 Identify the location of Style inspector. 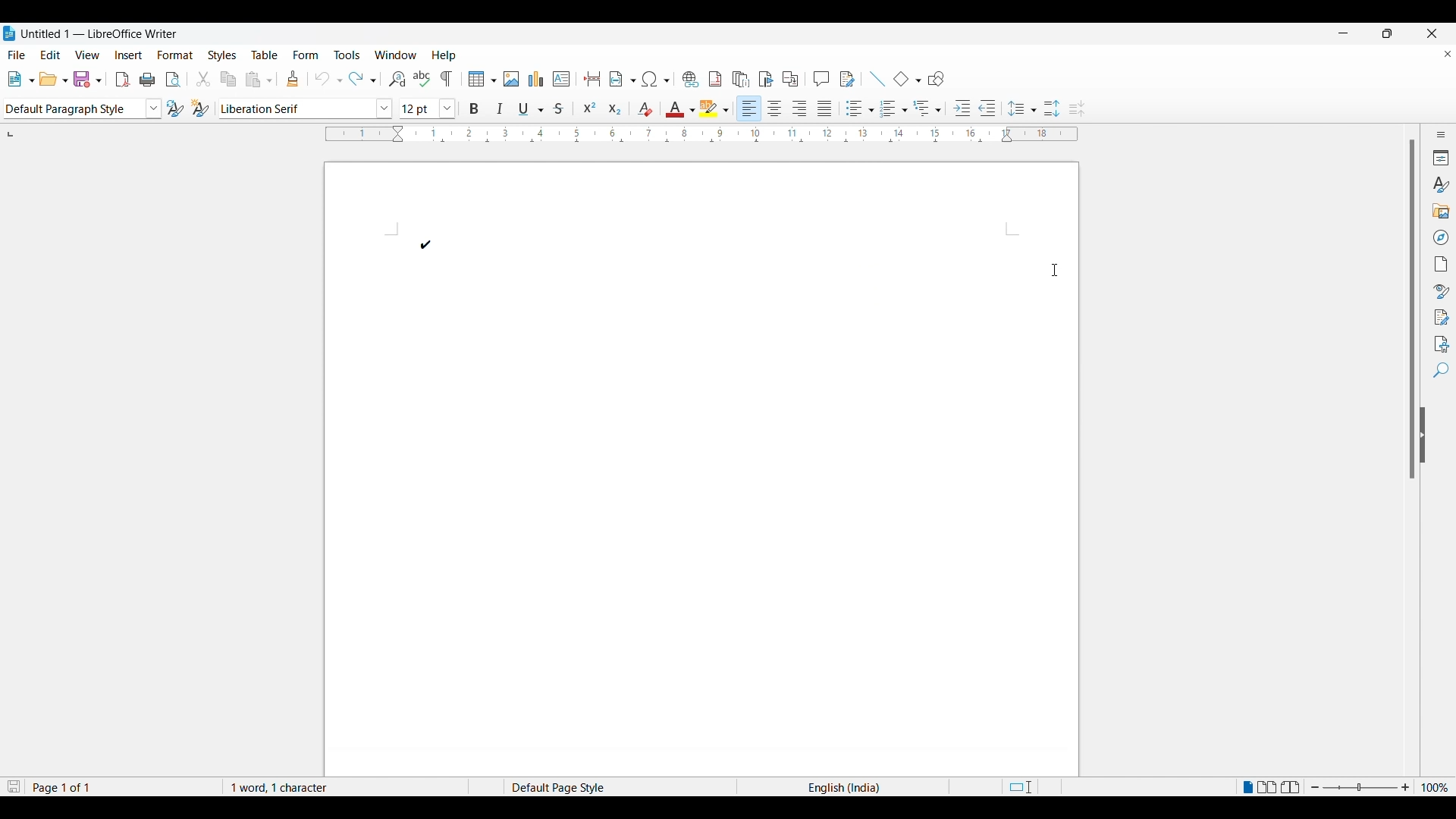
(1438, 288).